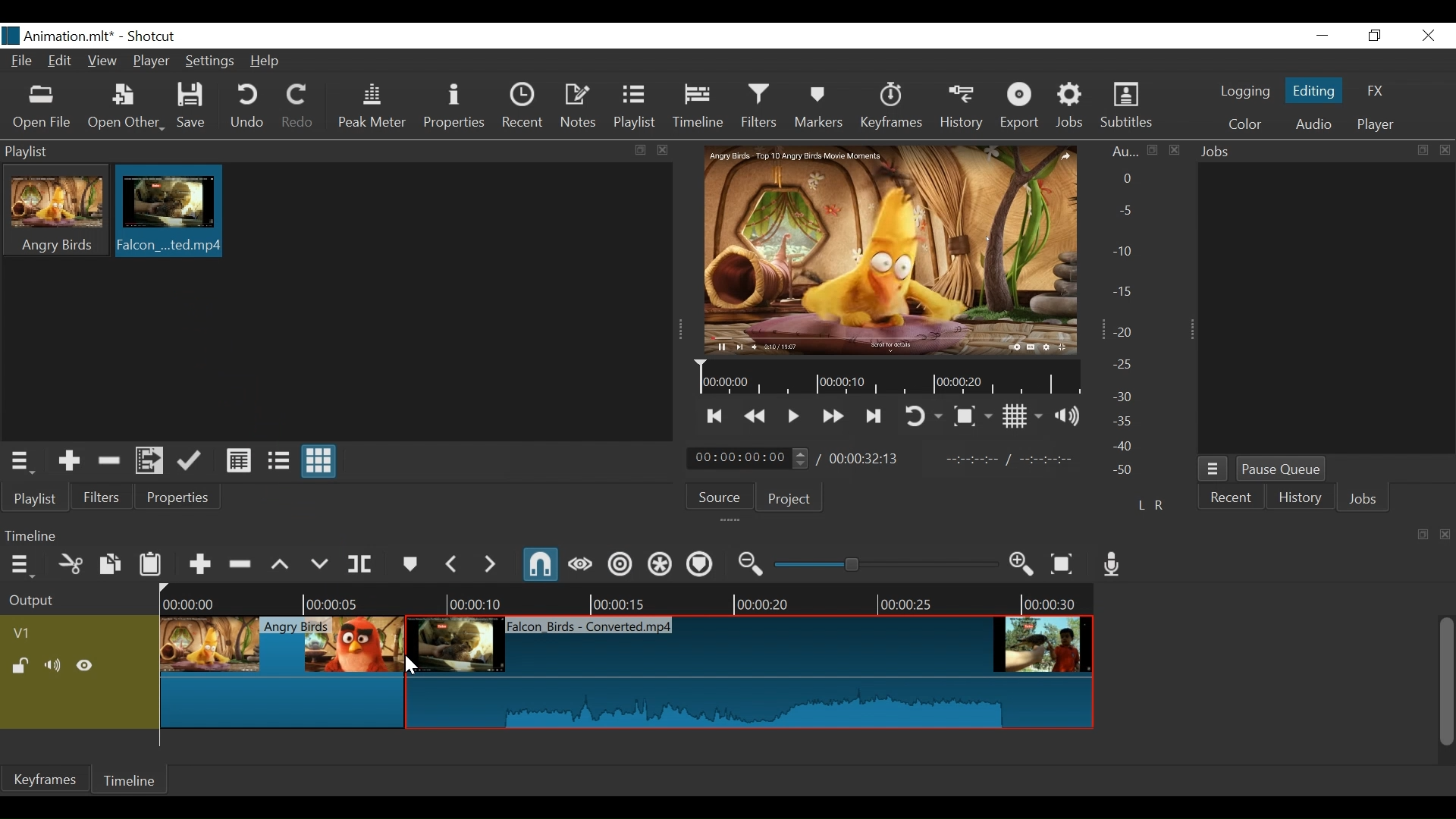 This screenshot has width=1456, height=819. I want to click on Ripple all tracks, so click(661, 565).